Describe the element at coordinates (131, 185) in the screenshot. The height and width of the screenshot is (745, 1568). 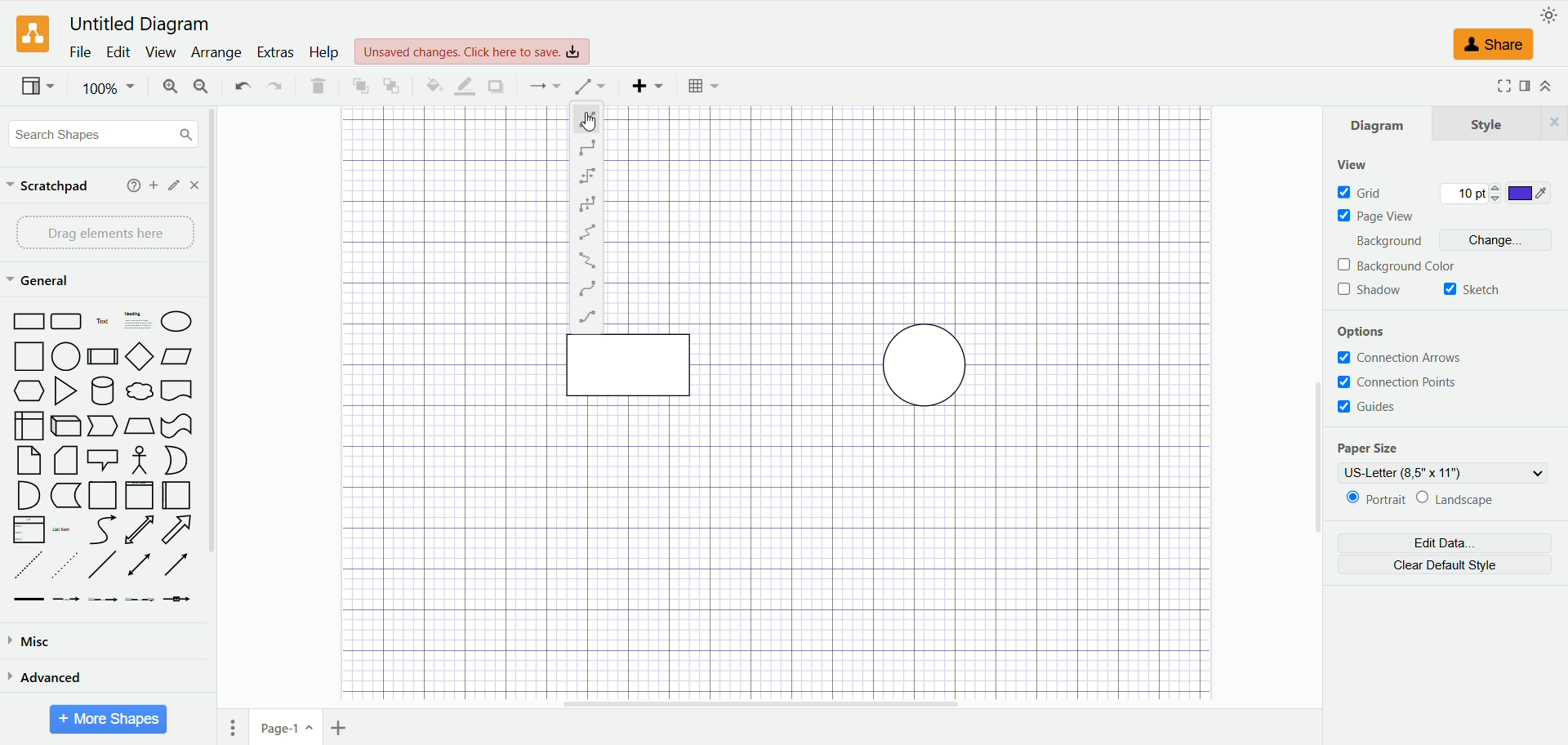
I see `help` at that location.